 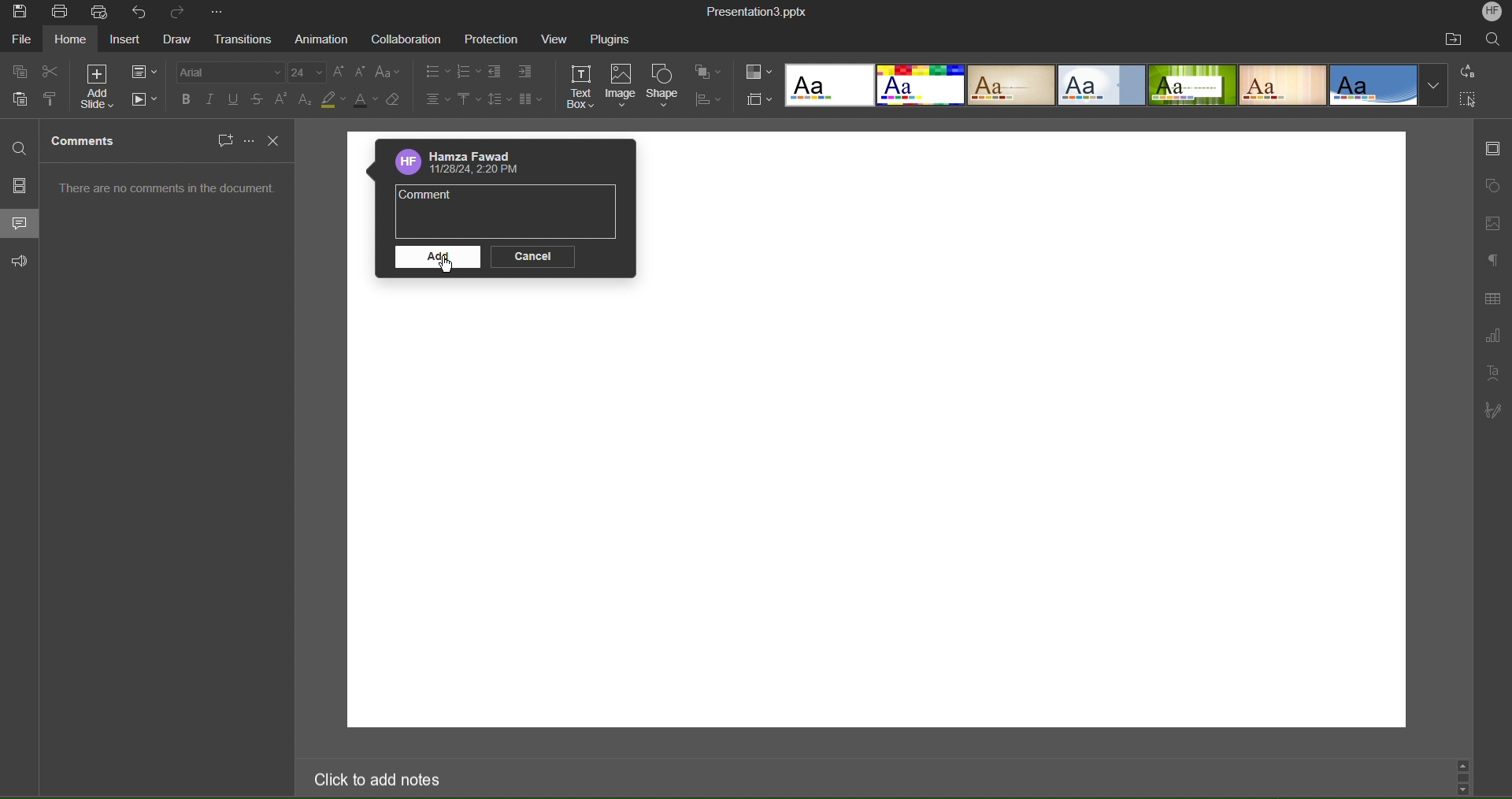 I want to click on Account, so click(x=1490, y=13).